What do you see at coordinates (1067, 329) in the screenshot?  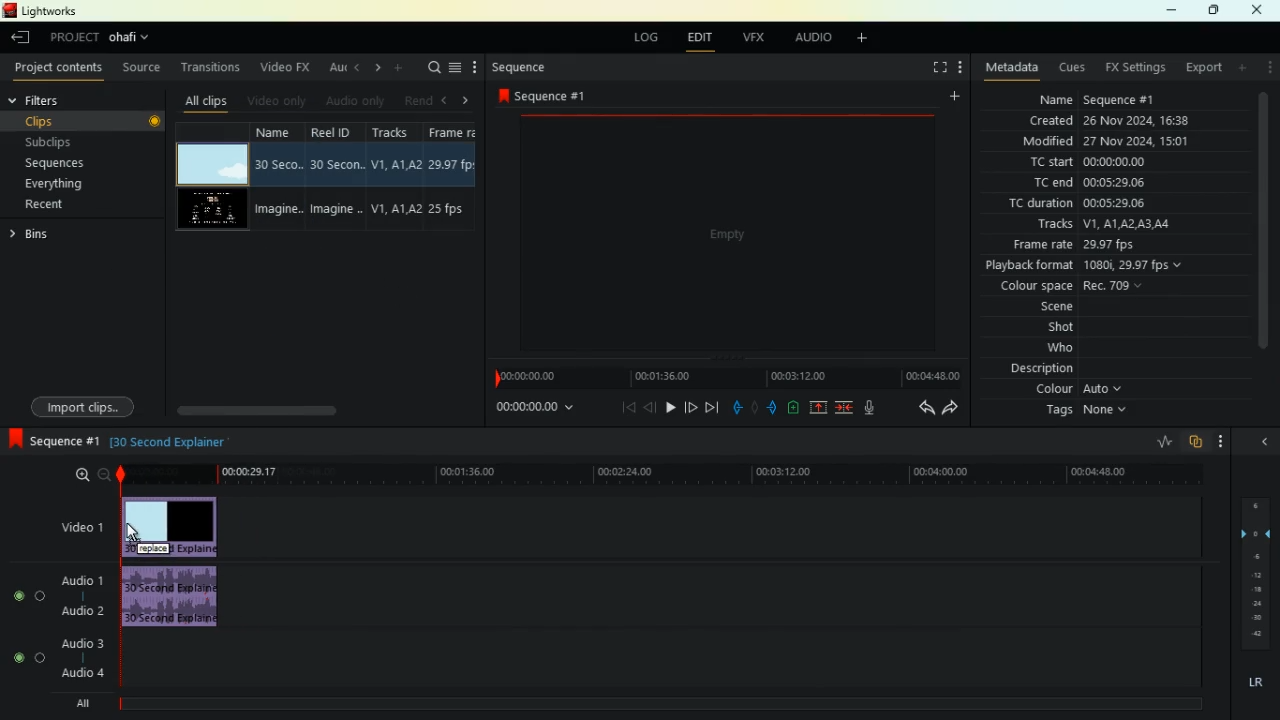 I see `shot` at bounding box center [1067, 329].